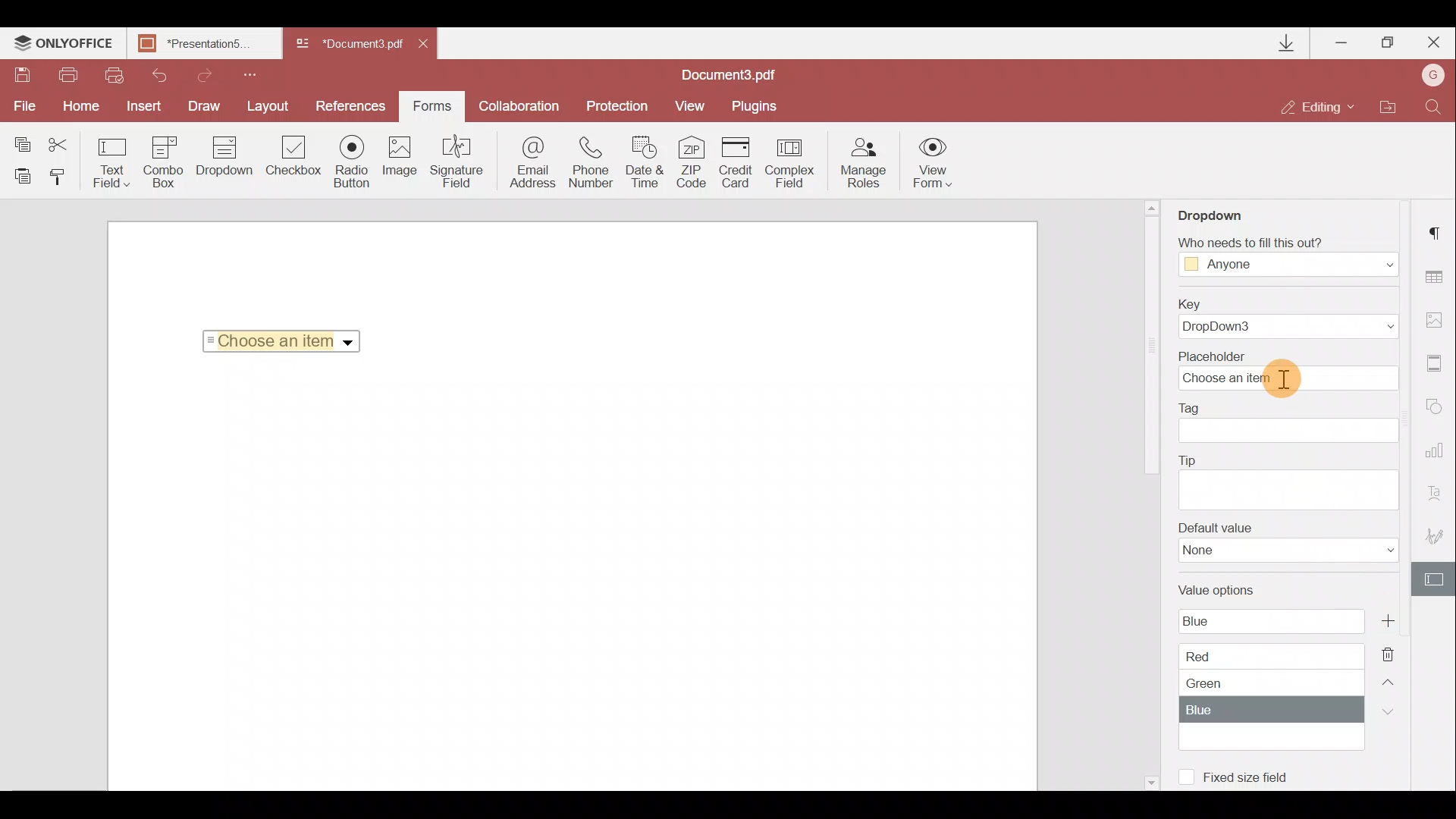 This screenshot has width=1456, height=819. What do you see at coordinates (1385, 711) in the screenshot?
I see `Down` at bounding box center [1385, 711].